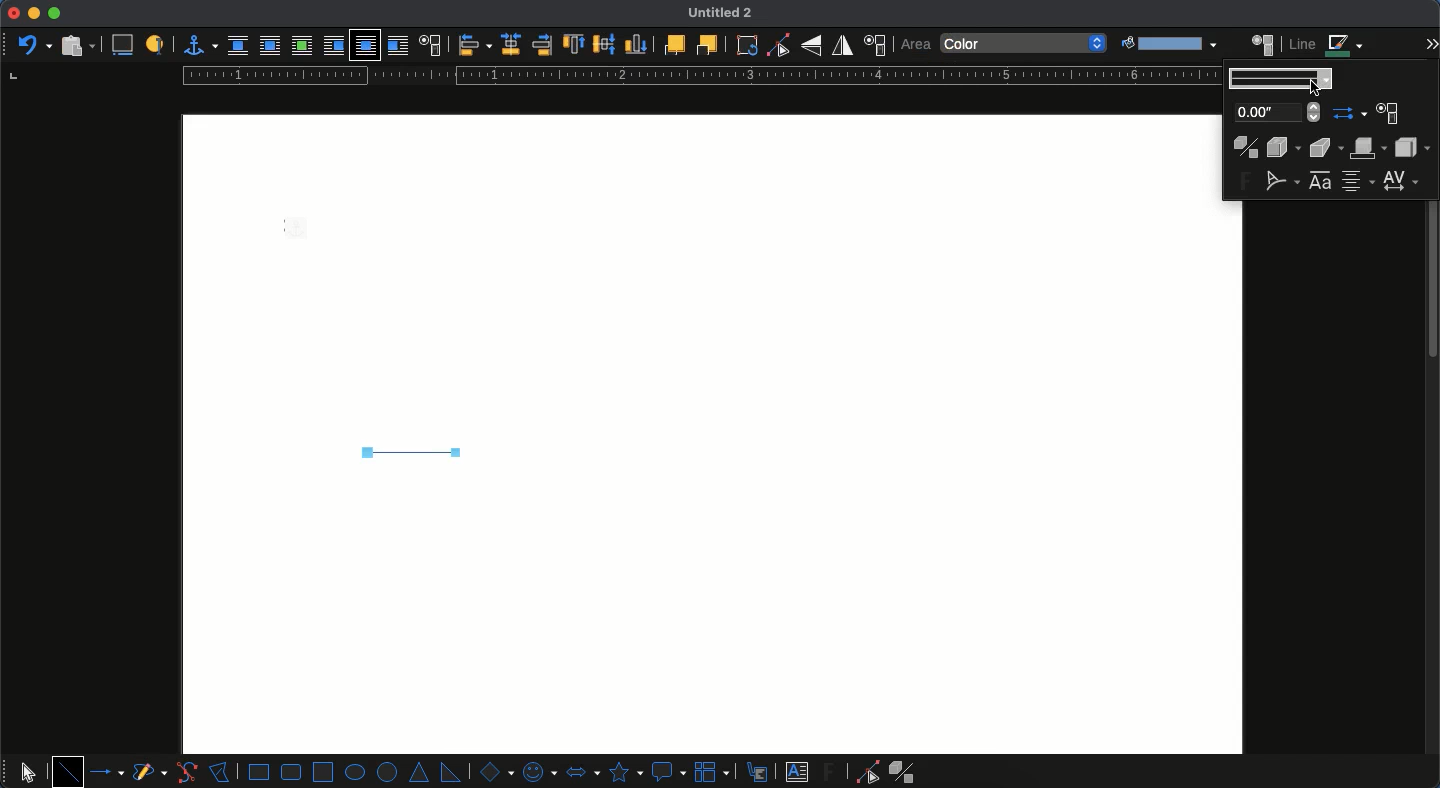  I want to click on right triangle, so click(450, 771).